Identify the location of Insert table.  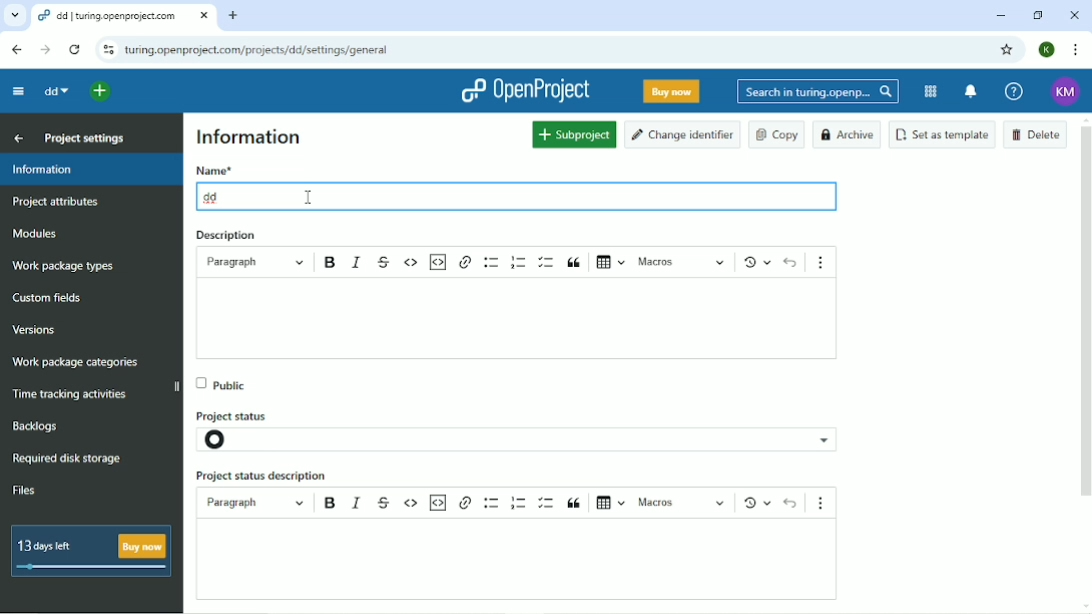
(607, 264).